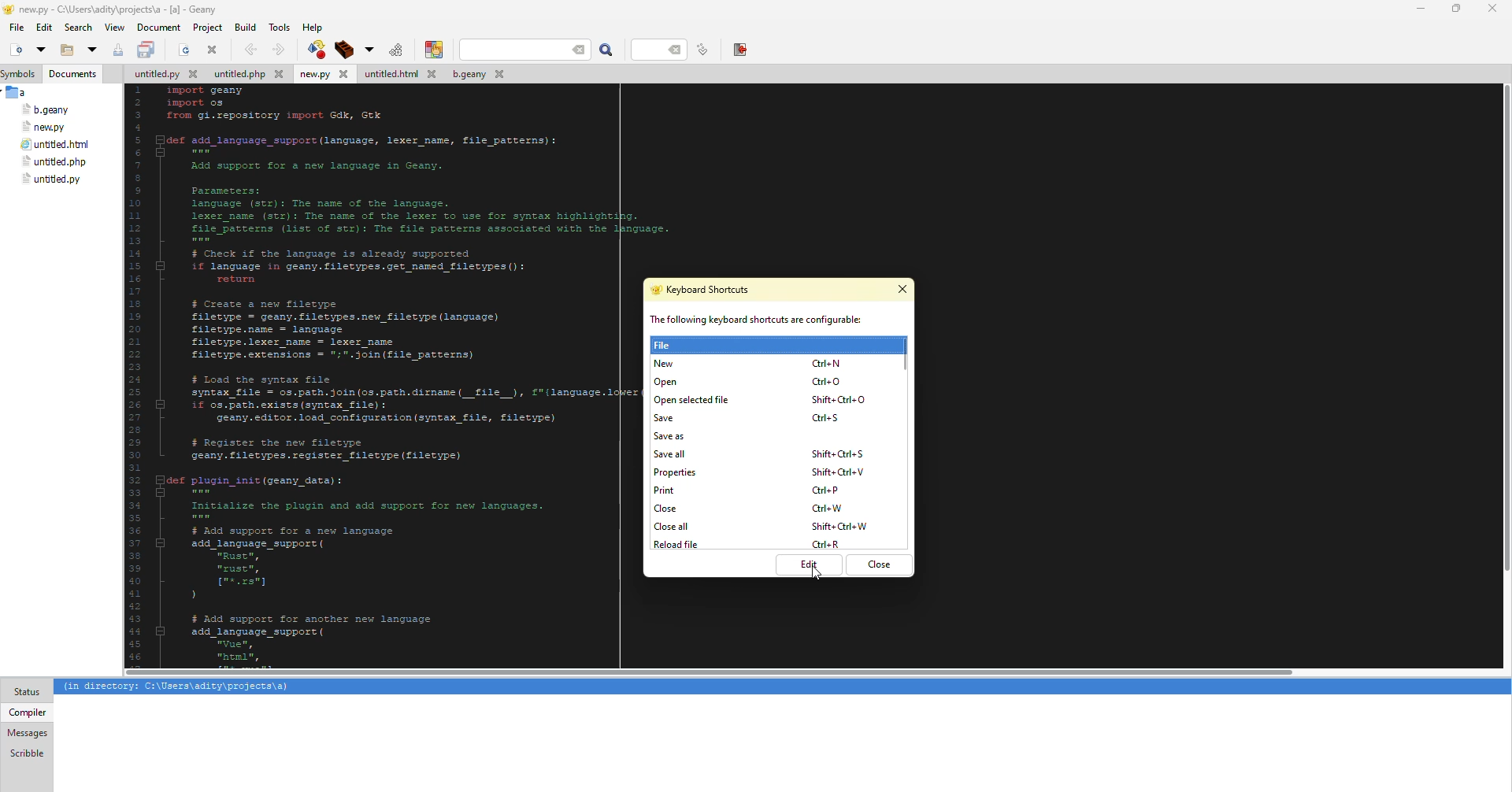  I want to click on file, so click(476, 76).